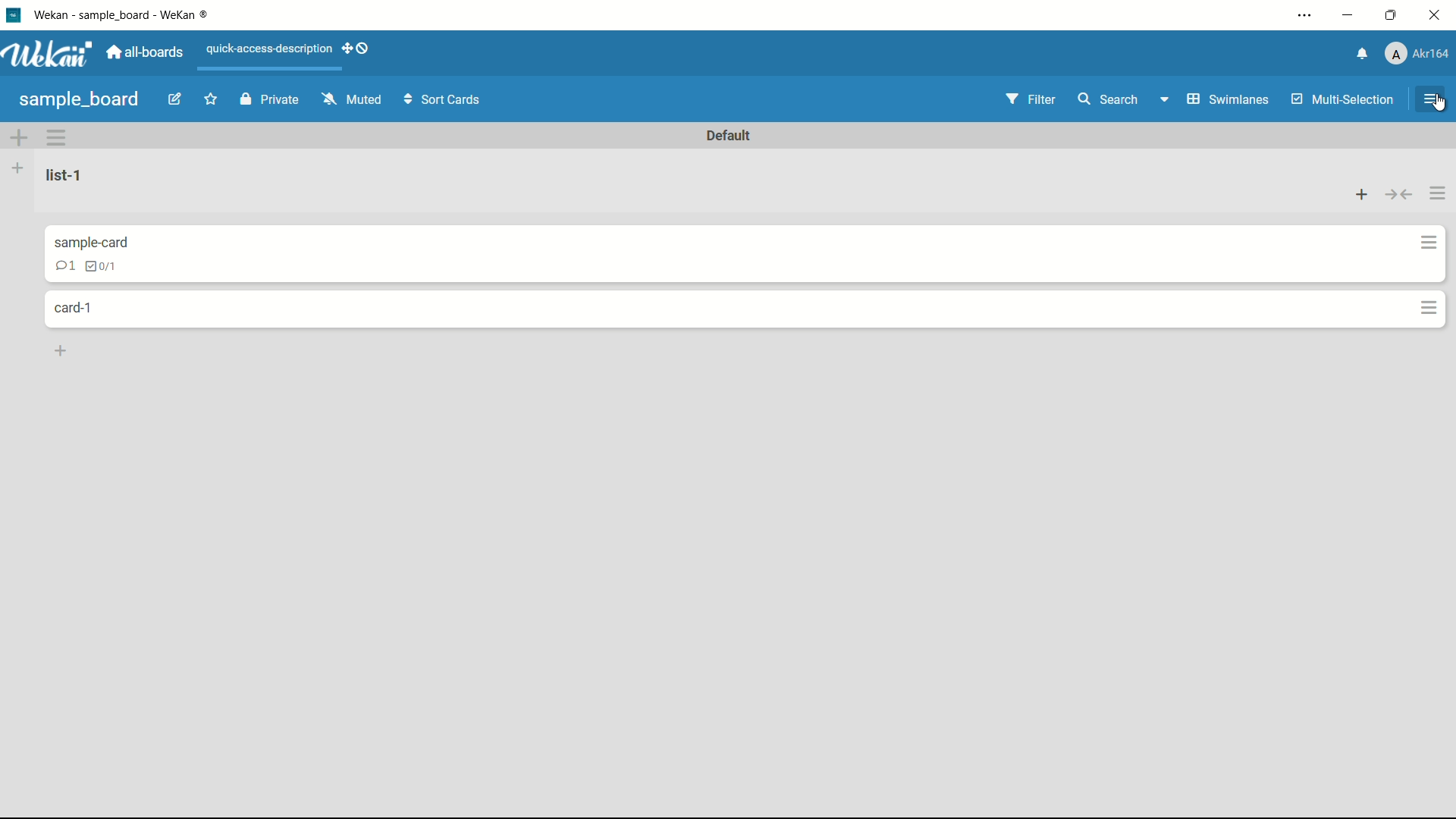 Image resolution: width=1456 pixels, height=819 pixels. What do you see at coordinates (70, 176) in the screenshot?
I see `list name` at bounding box center [70, 176].